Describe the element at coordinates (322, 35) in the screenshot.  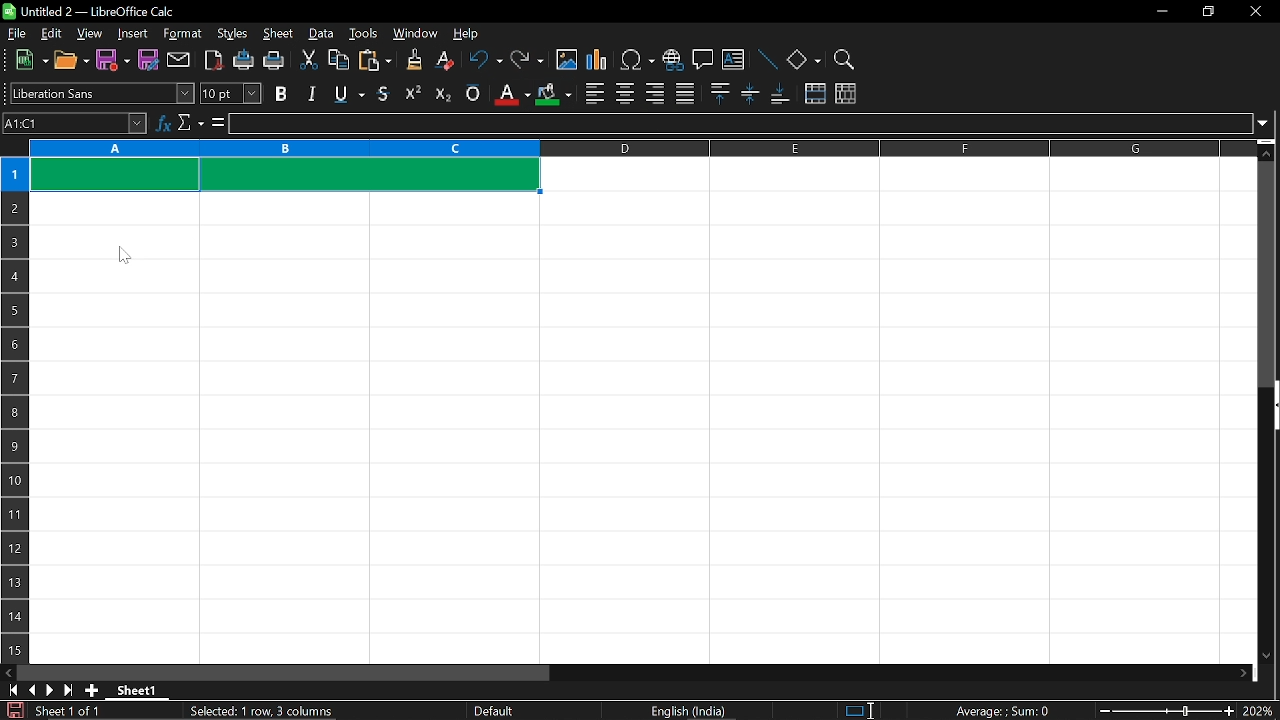
I see `data` at that location.